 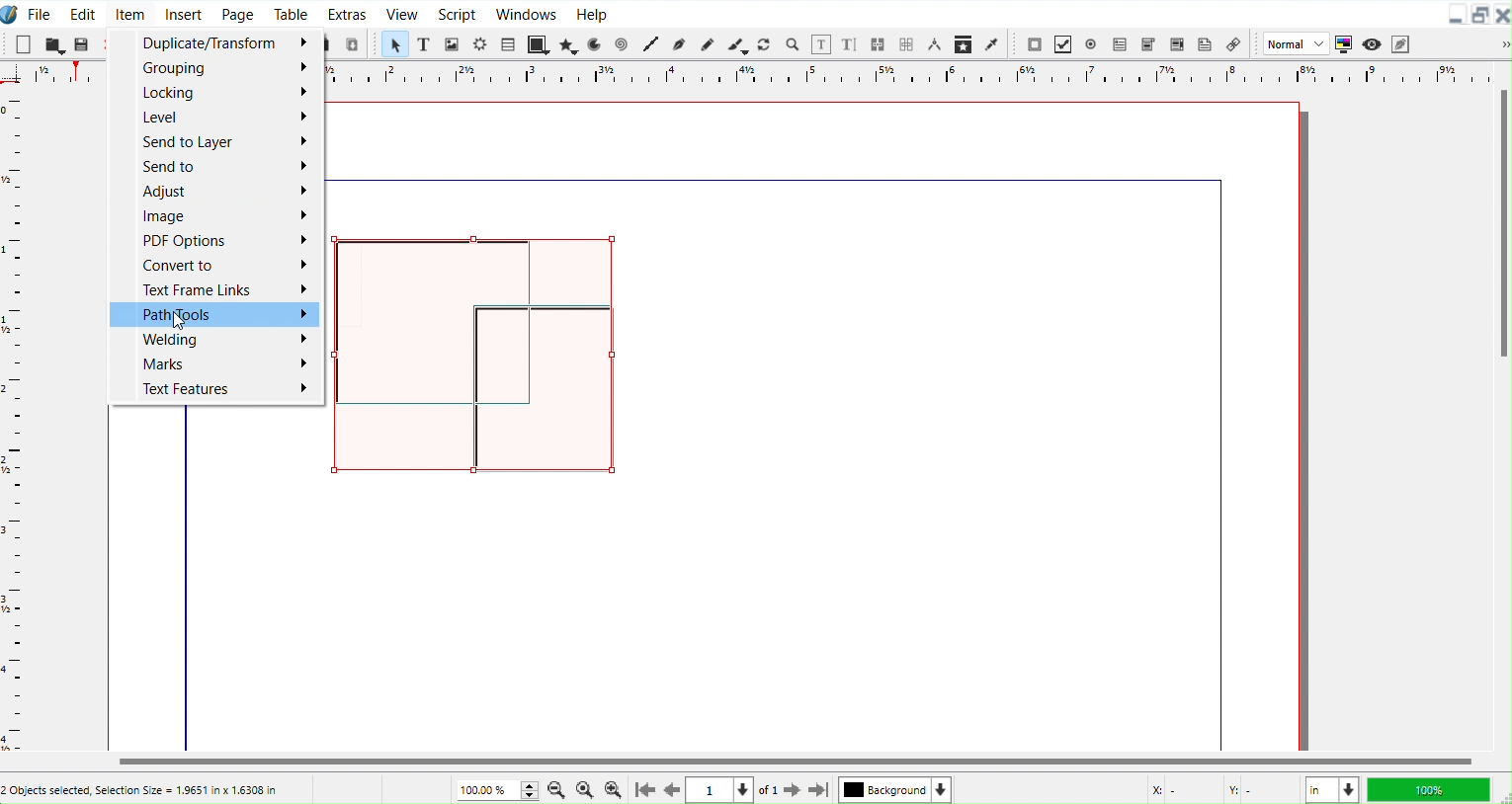 I want to click on Open, so click(x=55, y=43).